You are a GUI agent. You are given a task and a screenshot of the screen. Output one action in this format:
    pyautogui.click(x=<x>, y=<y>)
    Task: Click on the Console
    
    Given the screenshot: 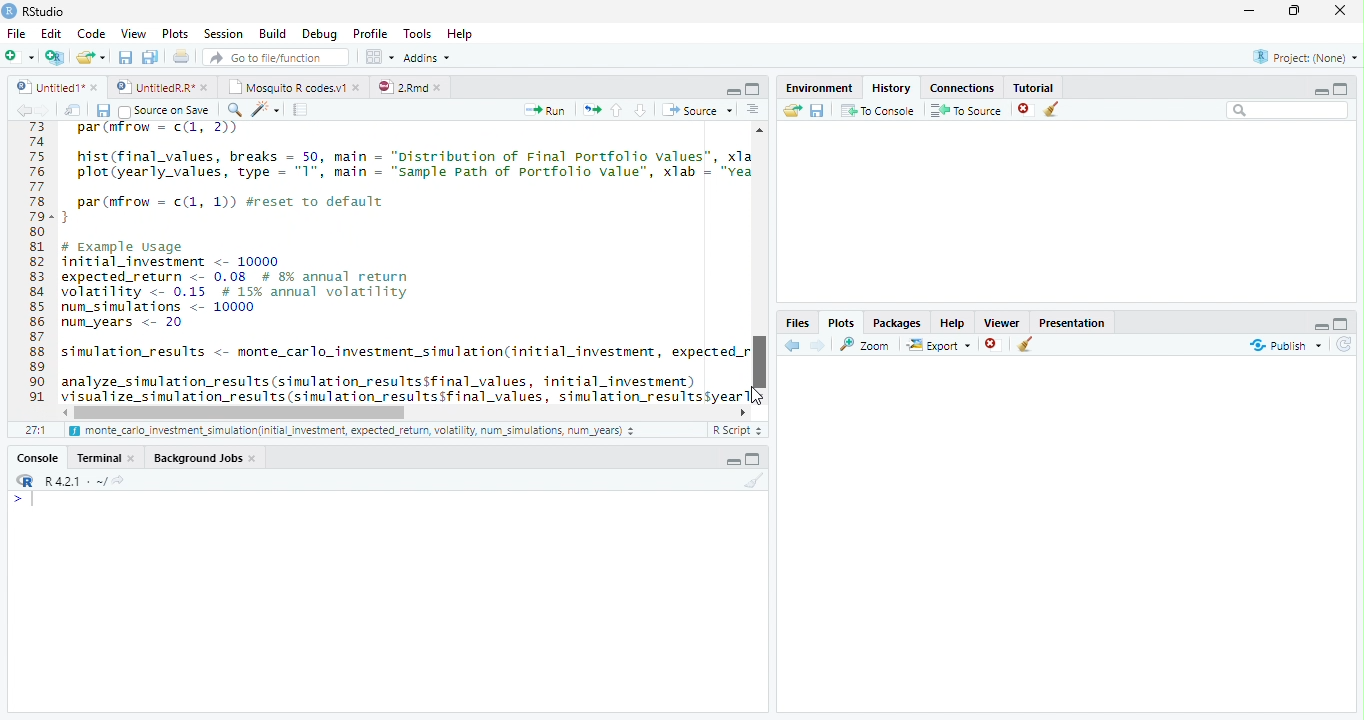 What is the action you would take?
    pyautogui.click(x=38, y=457)
    